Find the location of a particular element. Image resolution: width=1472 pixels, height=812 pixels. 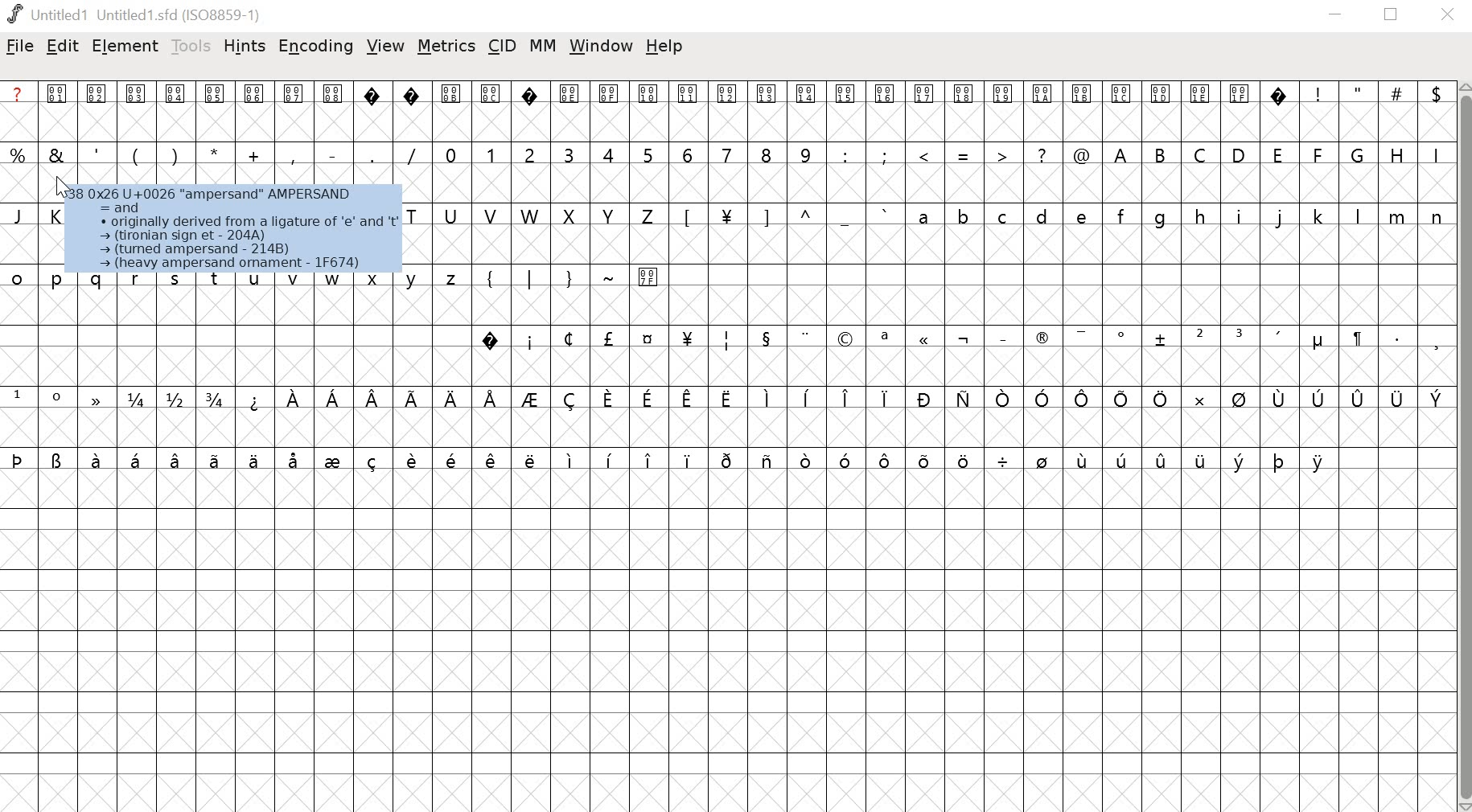

view is located at coordinates (386, 43).